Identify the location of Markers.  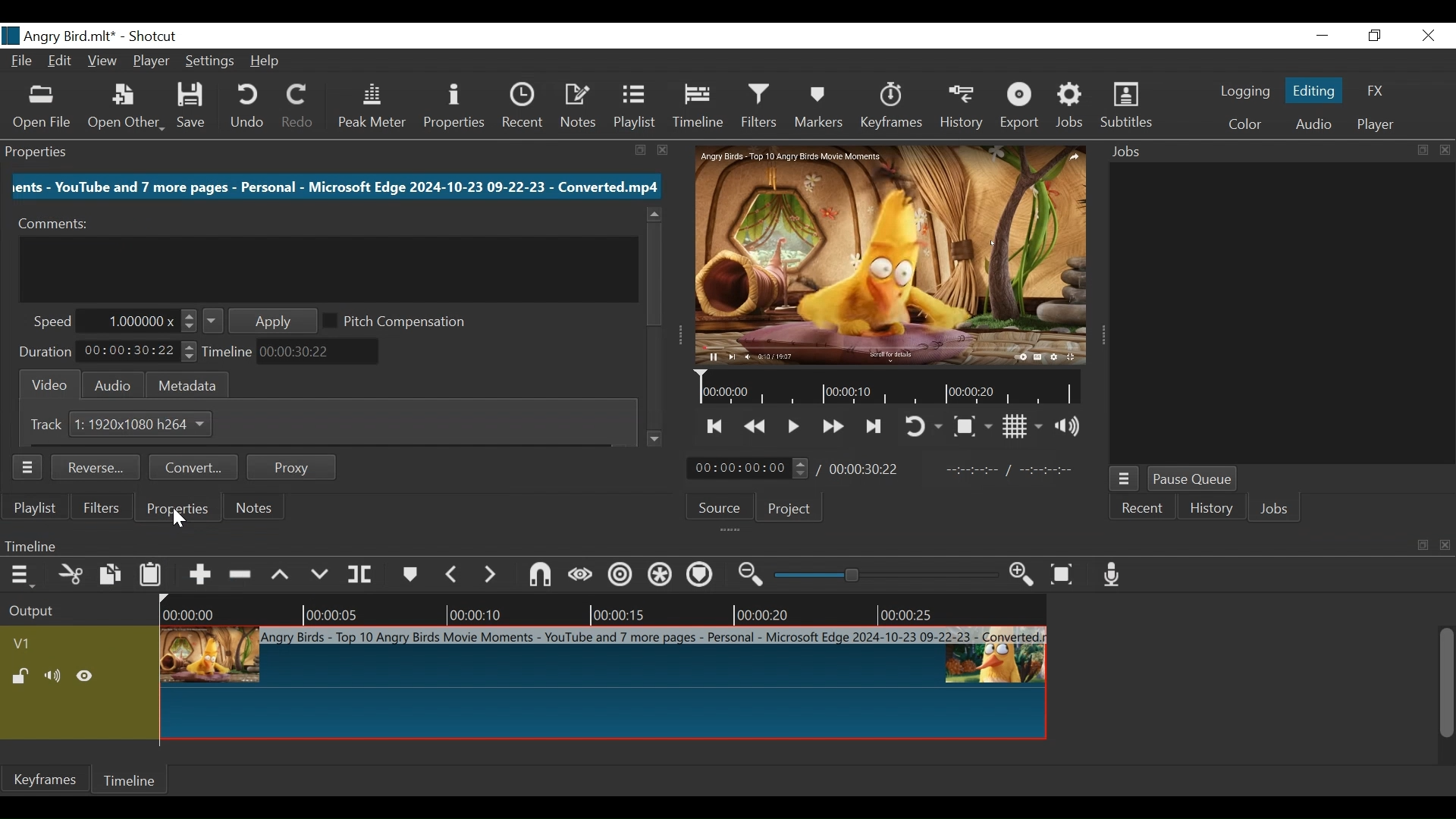
(411, 576).